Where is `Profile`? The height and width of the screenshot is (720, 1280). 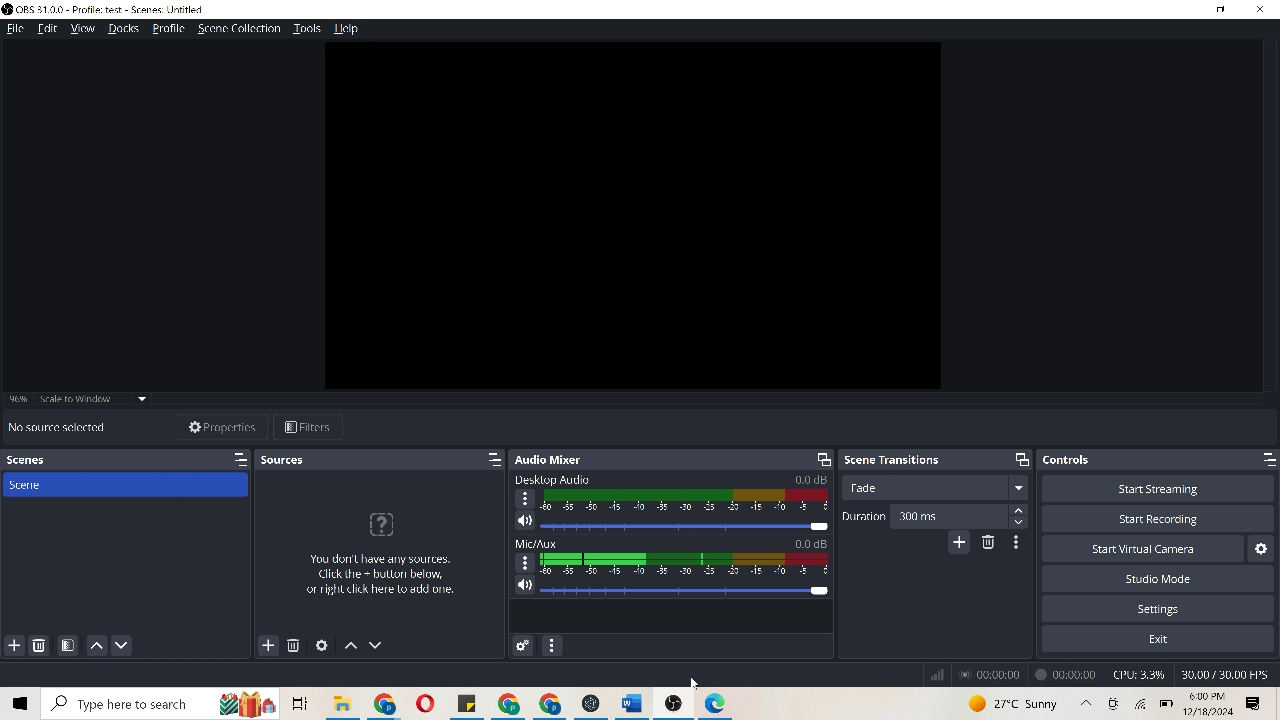 Profile is located at coordinates (166, 29).